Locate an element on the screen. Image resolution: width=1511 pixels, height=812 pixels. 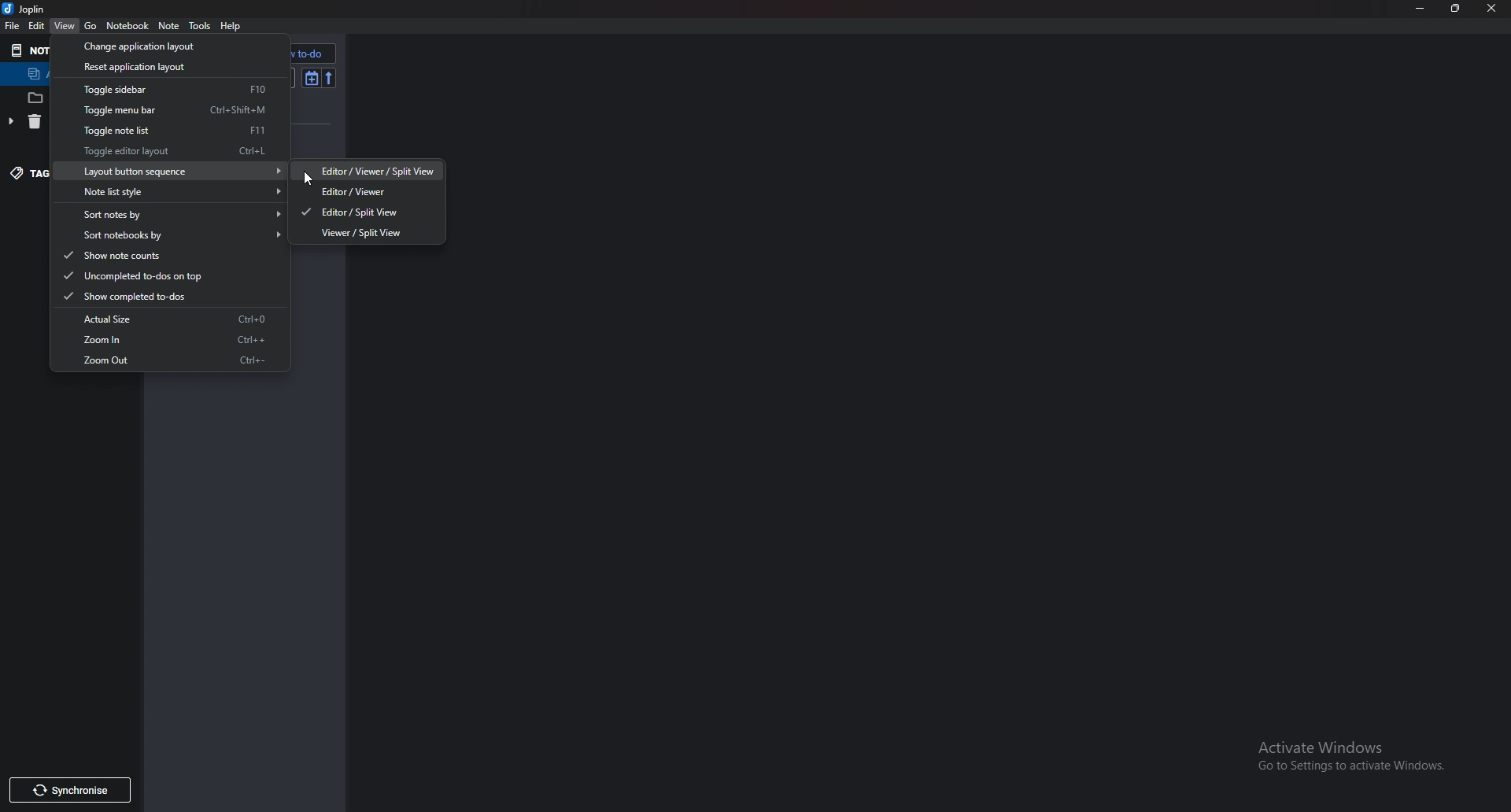
Uncompleted to dos on top is located at coordinates (153, 275).